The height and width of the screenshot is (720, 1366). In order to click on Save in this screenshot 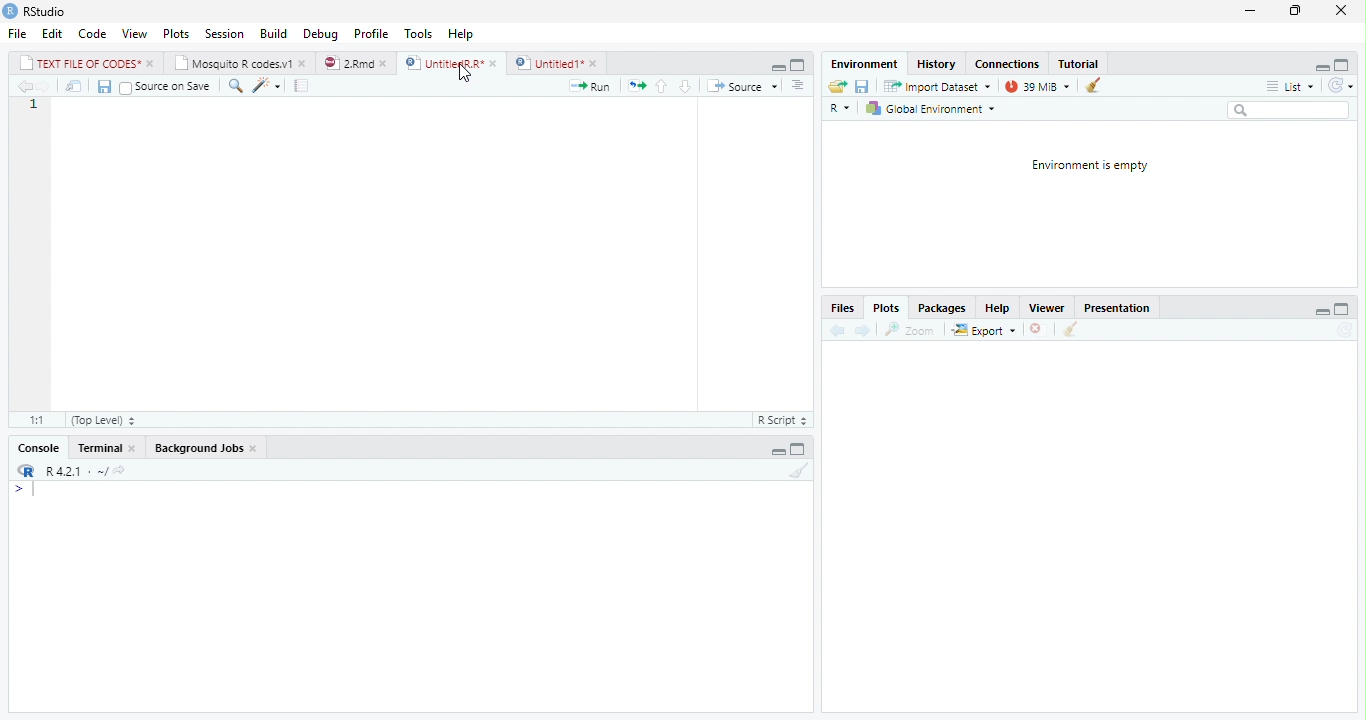, I will do `click(863, 85)`.